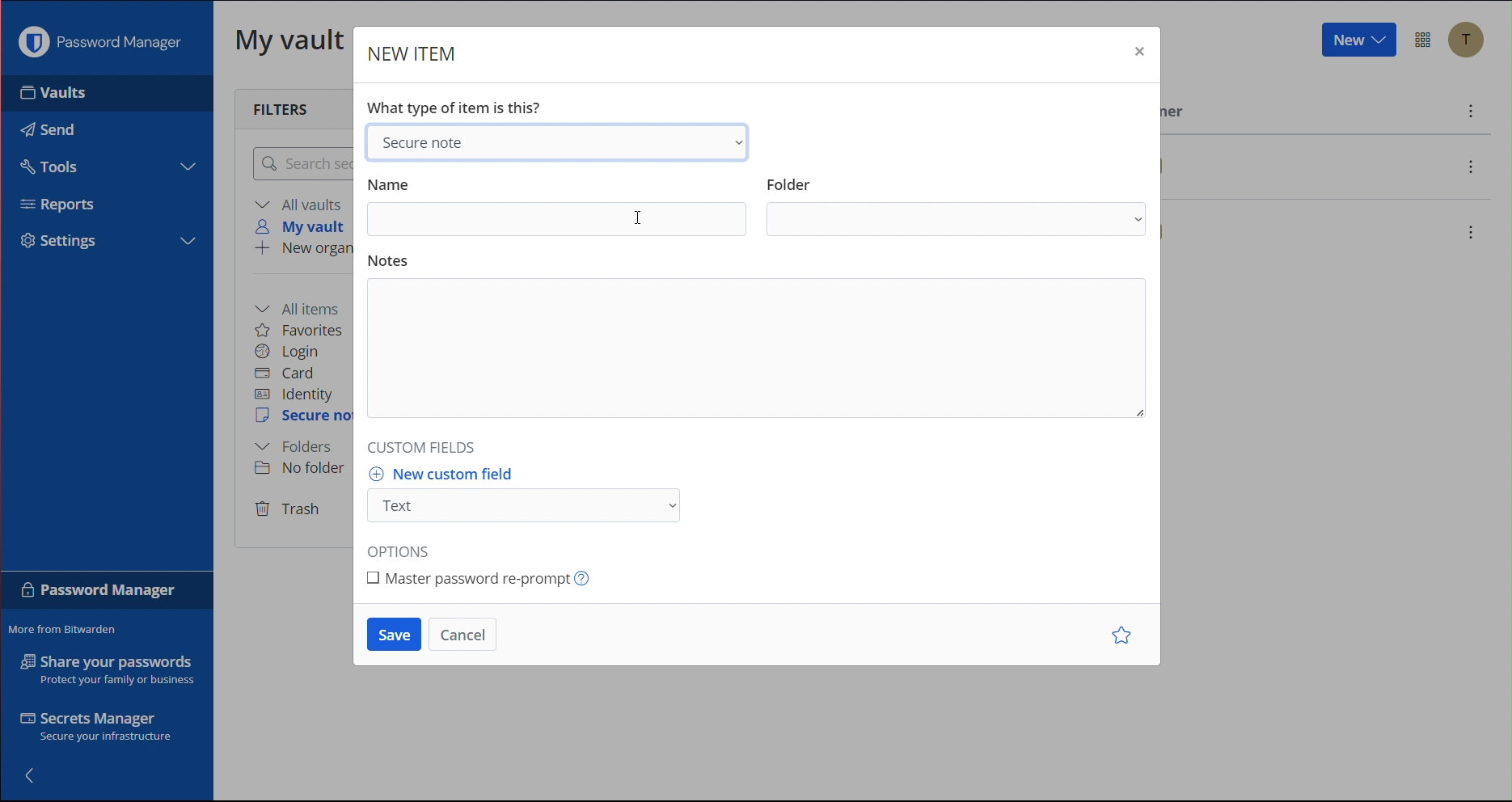 This screenshot has height=802, width=1512. I want to click on Password Manager, so click(99, 46).